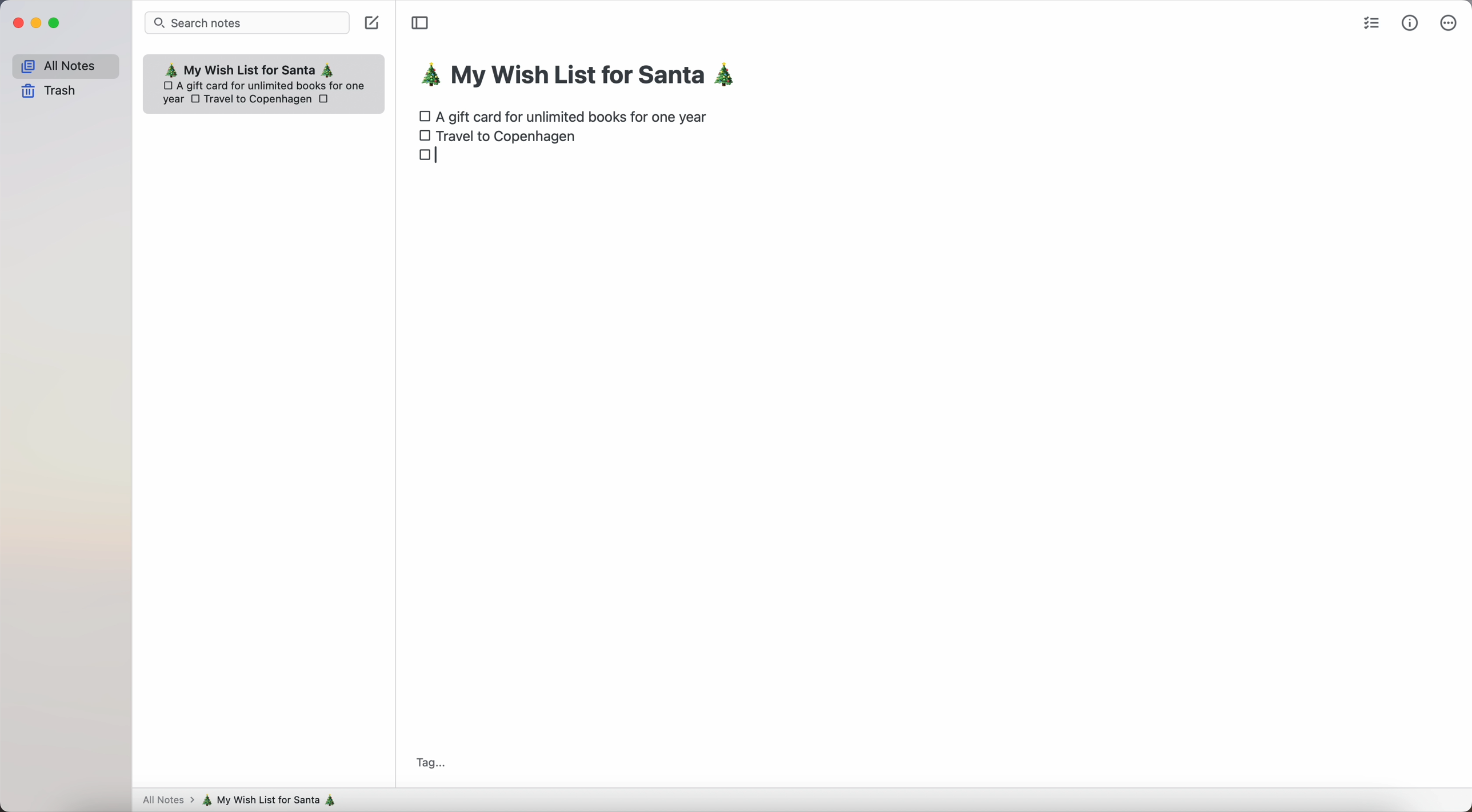  What do you see at coordinates (247, 22) in the screenshot?
I see `search bar` at bounding box center [247, 22].